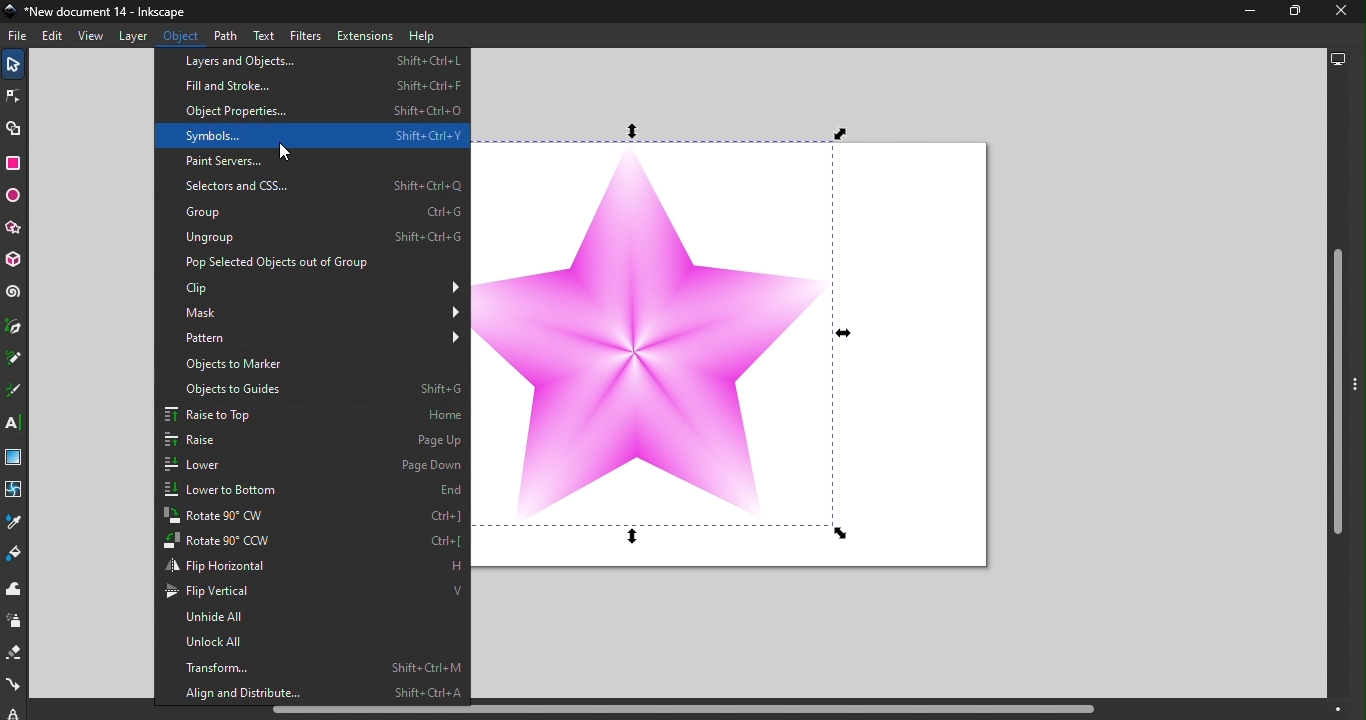  What do you see at coordinates (53, 37) in the screenshot?
I see `Edit` at bounding box center [53, 37].